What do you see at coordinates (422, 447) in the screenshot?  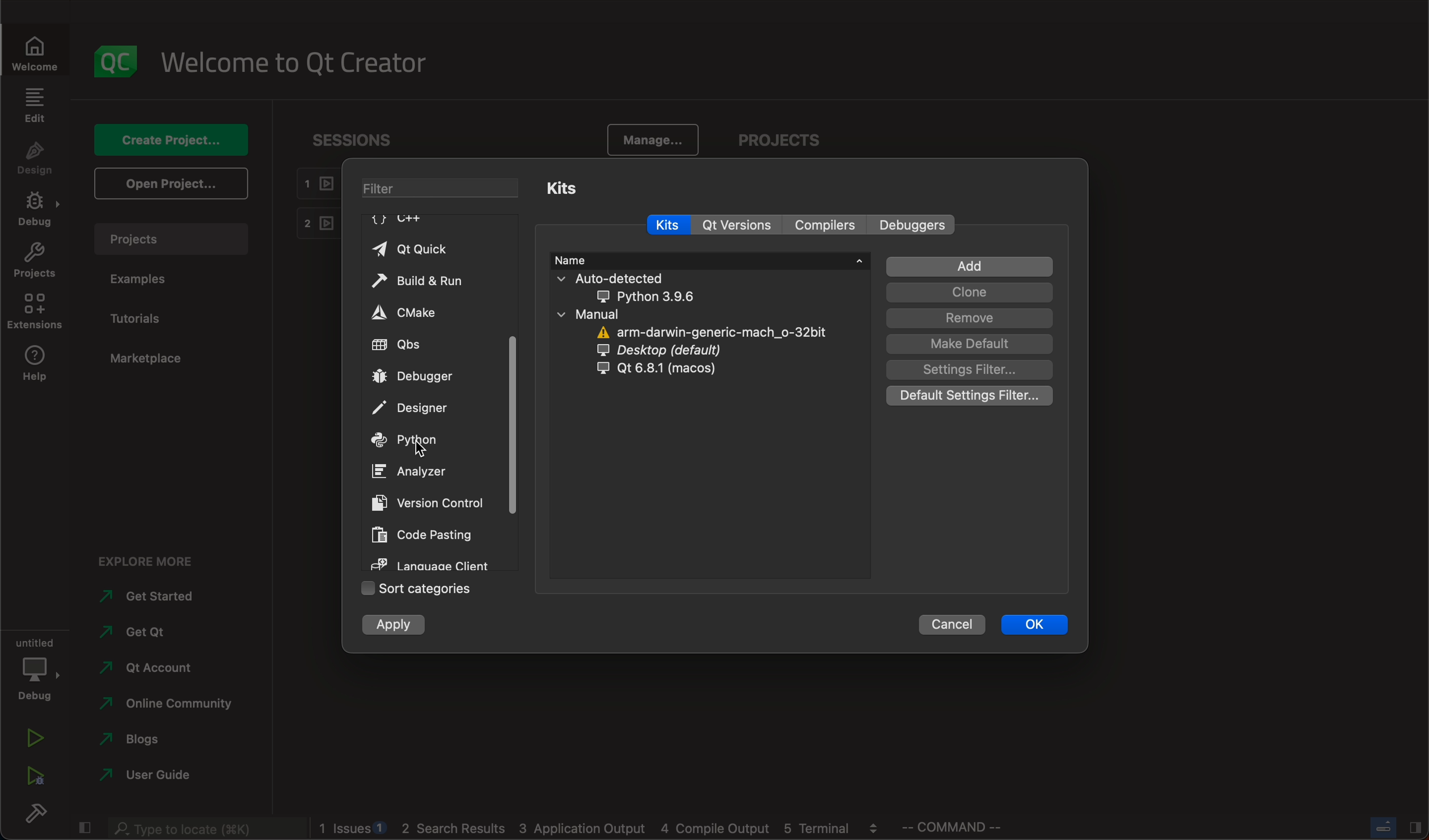 I see `on key up` at bounding box center [422, 447].